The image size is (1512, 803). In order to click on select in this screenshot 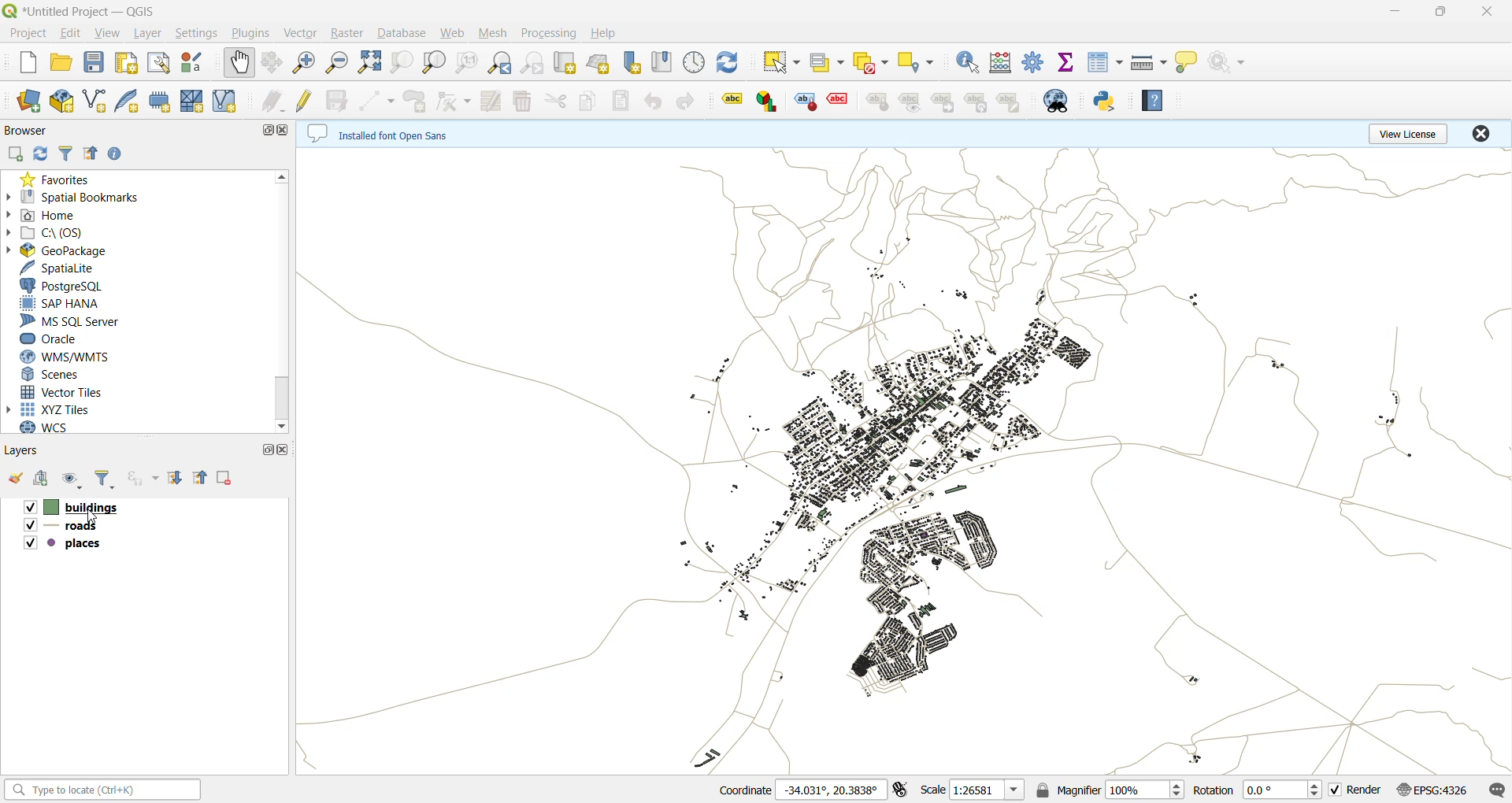, I will do `click(780, 62)`.